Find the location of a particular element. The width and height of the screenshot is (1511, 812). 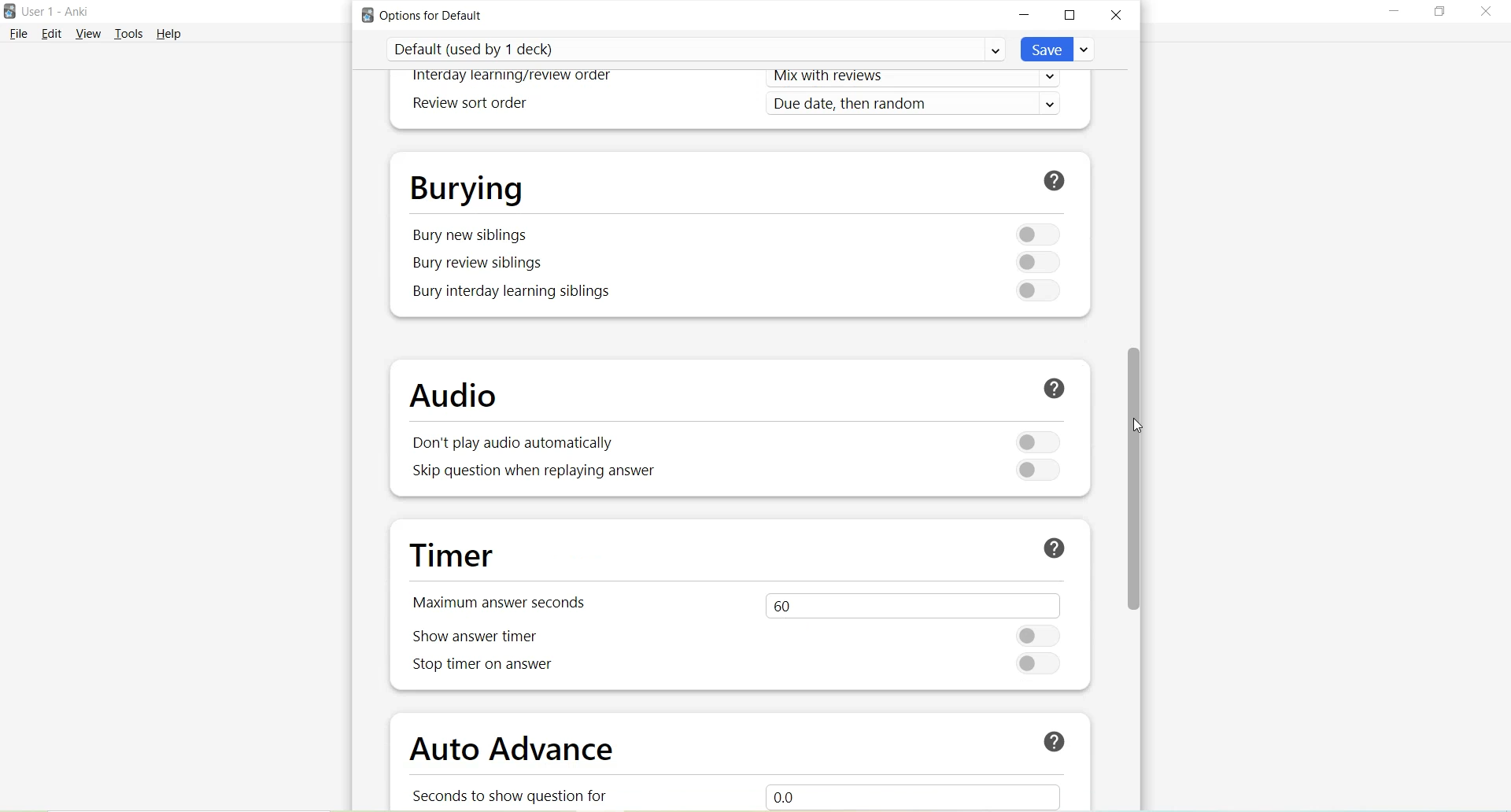

Skip question when replaying answer is located at coordinates (536, 472).